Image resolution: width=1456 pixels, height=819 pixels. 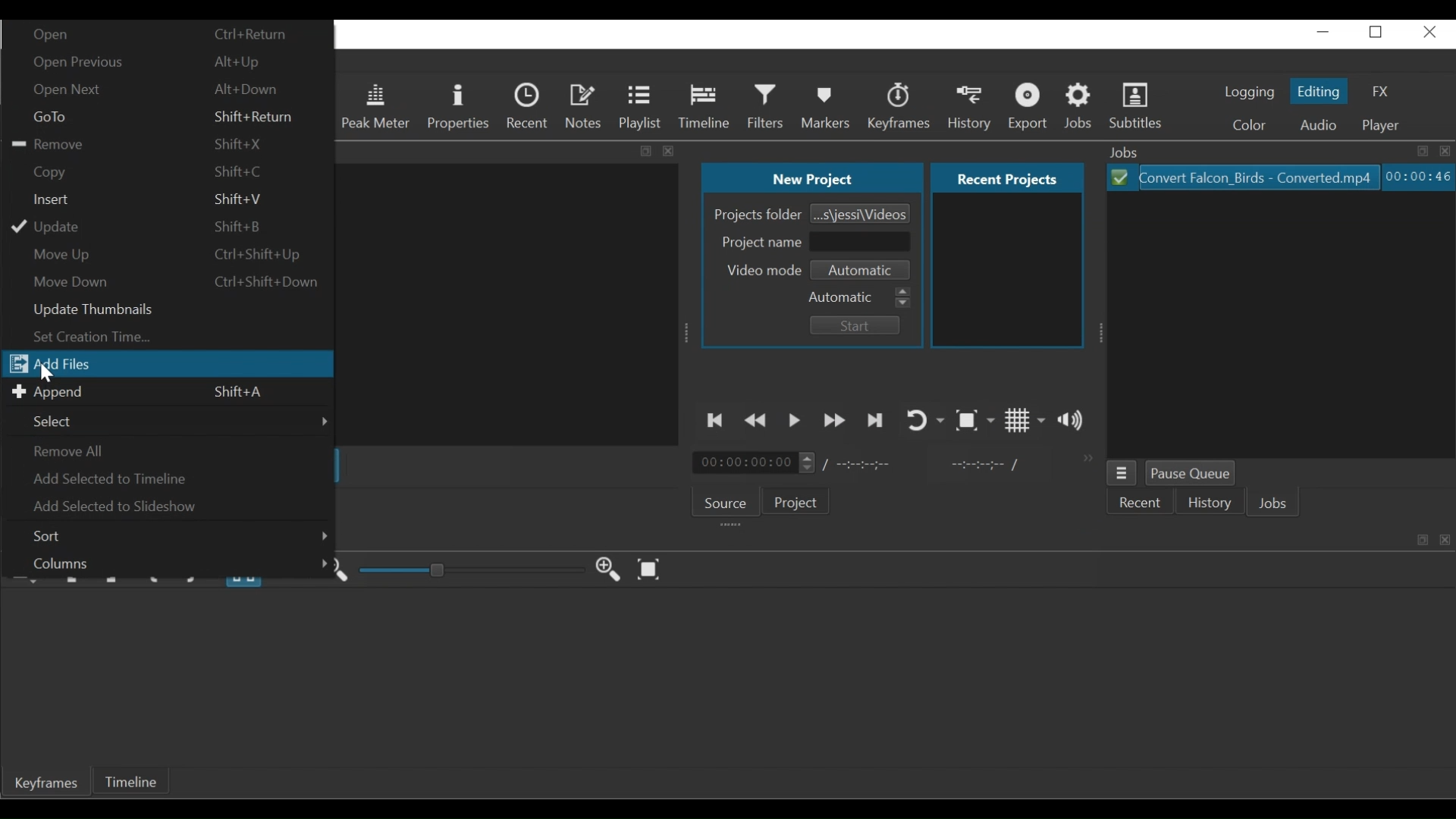 What do you see at coordinates (861, 298) in the screenshot?
I see `Automatic` at bounding box center [861, 298].